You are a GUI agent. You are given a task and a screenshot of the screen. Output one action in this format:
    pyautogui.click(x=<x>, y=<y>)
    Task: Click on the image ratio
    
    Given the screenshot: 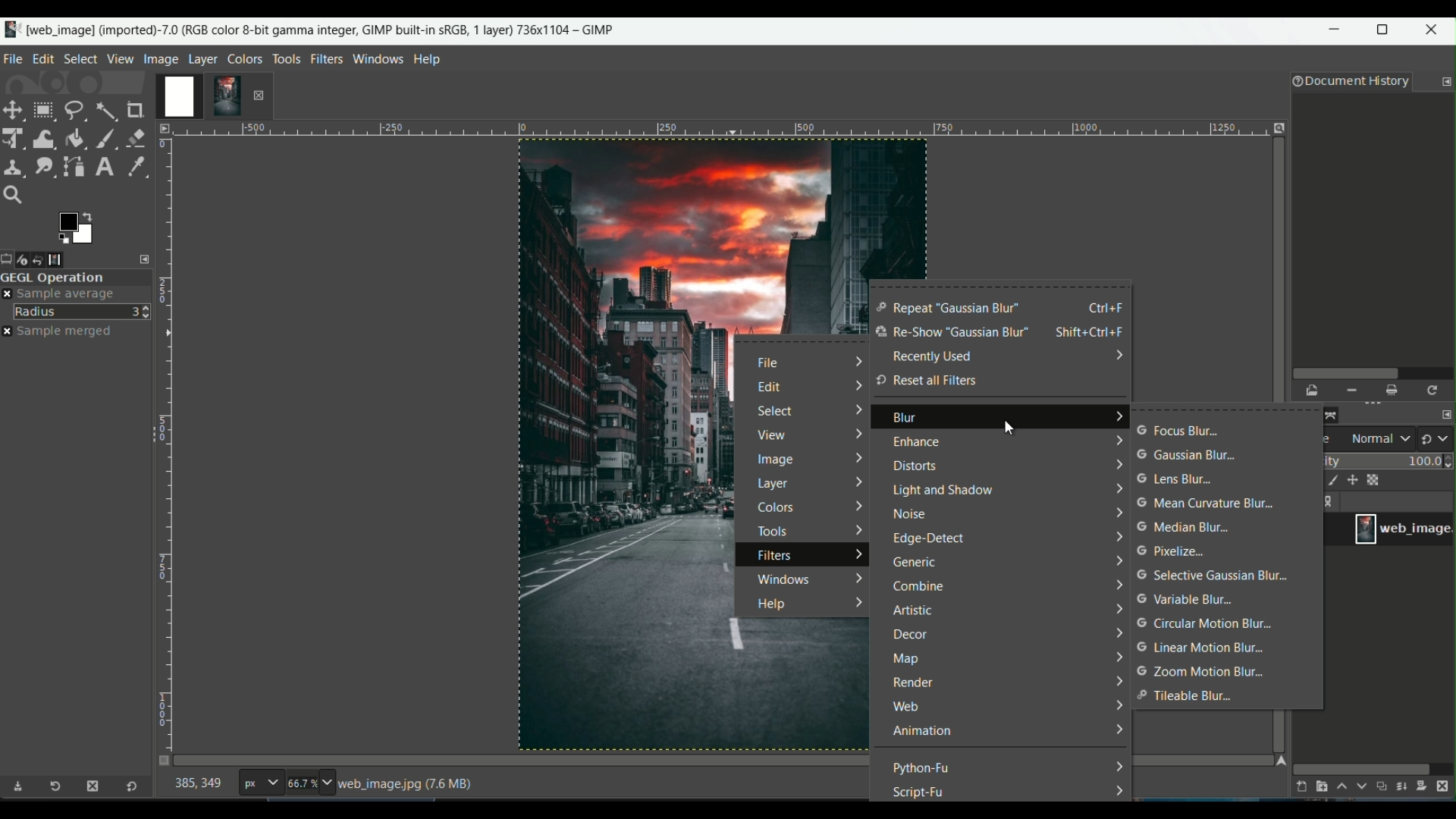 What is the action you would take?
    pyautogui.click(x=309, y=785)
    